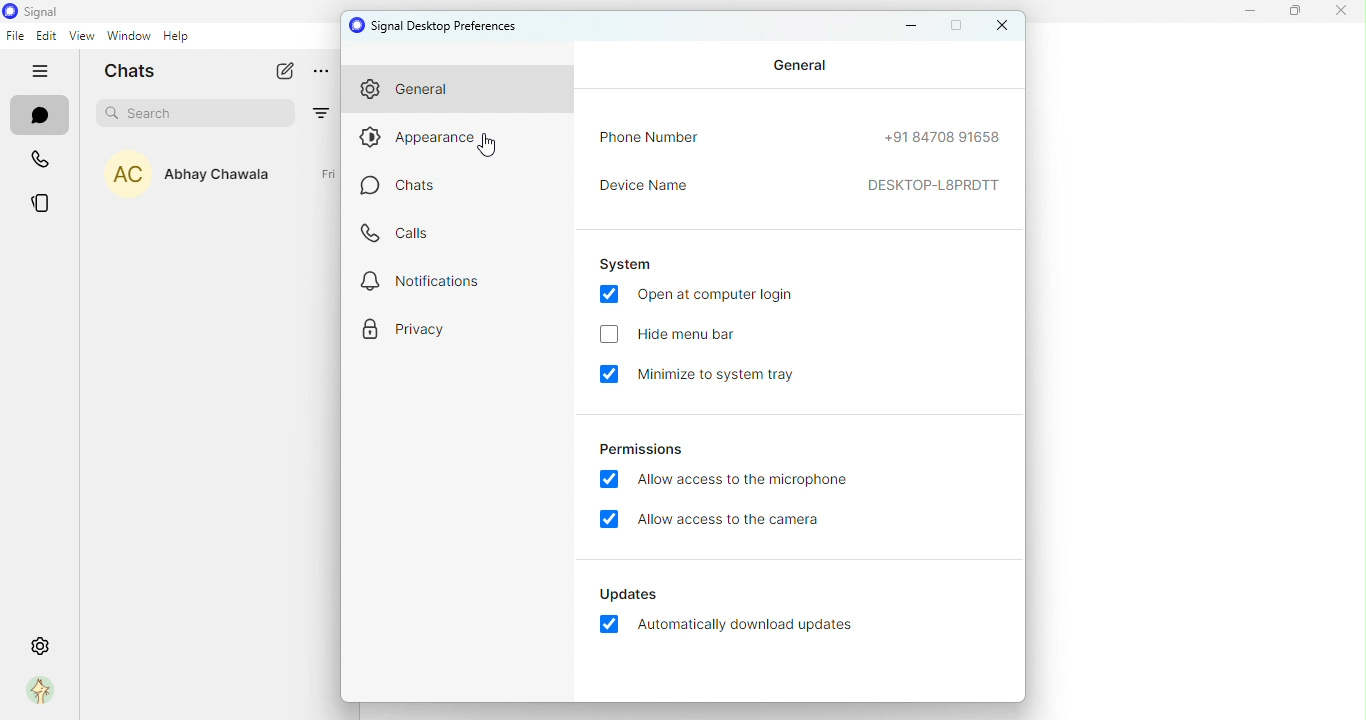  What do you see at coordinates (1299, 14) in the screenshot?
I see `maximixe` at bounding box center [1299, 14].